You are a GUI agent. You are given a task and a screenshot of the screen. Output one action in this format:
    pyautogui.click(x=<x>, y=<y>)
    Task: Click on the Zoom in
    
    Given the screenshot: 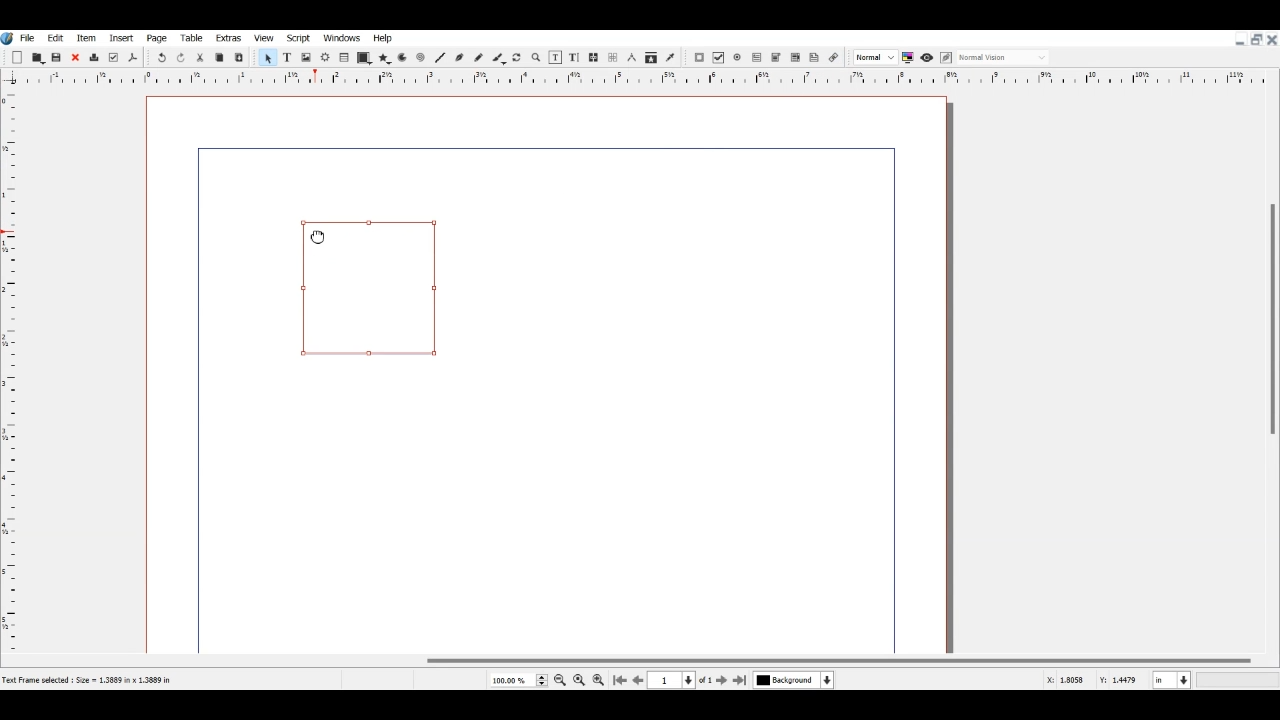 What is the action you would take?
    pyautogui.click(x=598, y=679)
    